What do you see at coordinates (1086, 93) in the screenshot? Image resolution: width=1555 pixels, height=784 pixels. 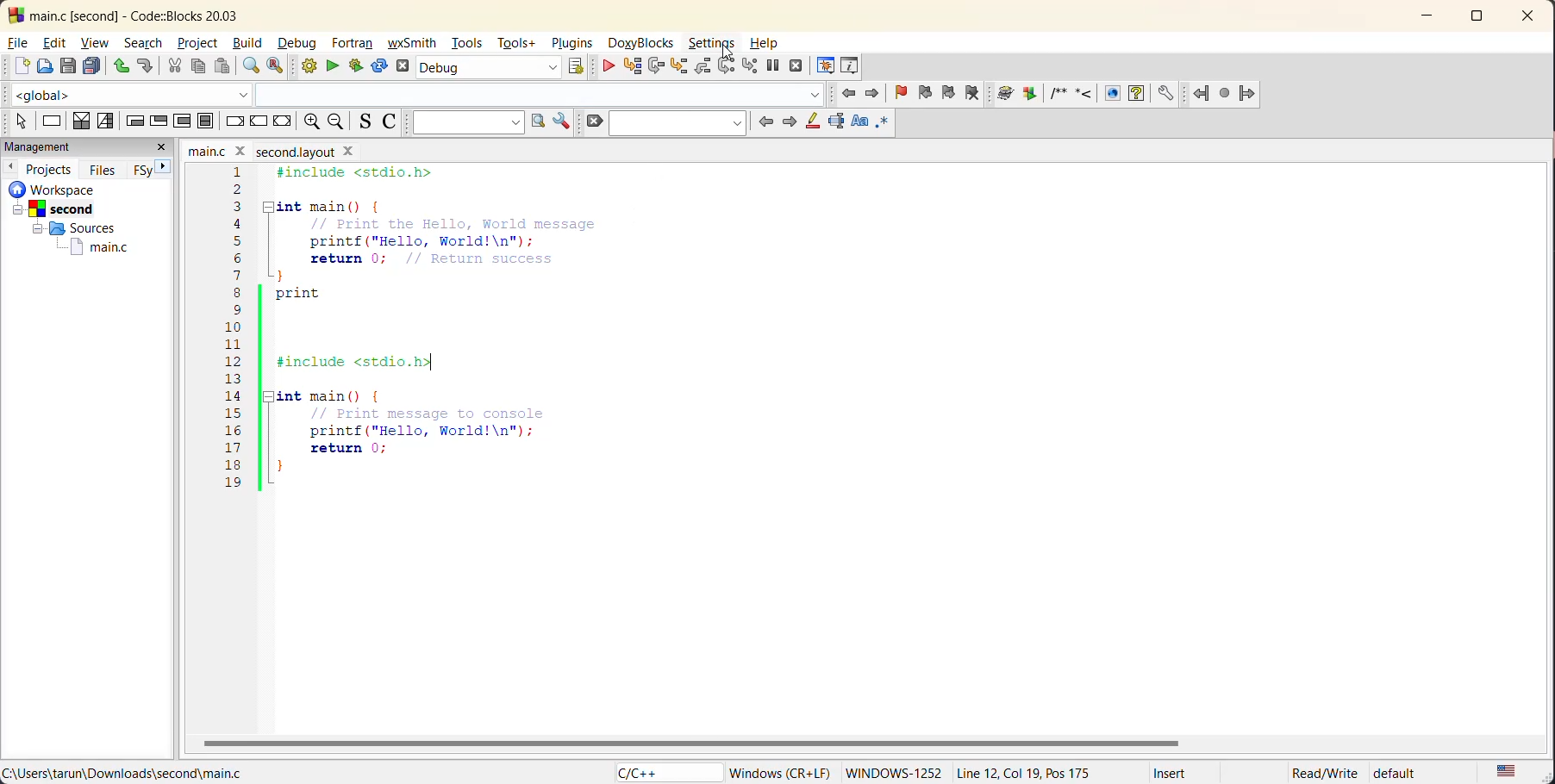 I see `doxyblocks references` at bounding box center [1086, 93].